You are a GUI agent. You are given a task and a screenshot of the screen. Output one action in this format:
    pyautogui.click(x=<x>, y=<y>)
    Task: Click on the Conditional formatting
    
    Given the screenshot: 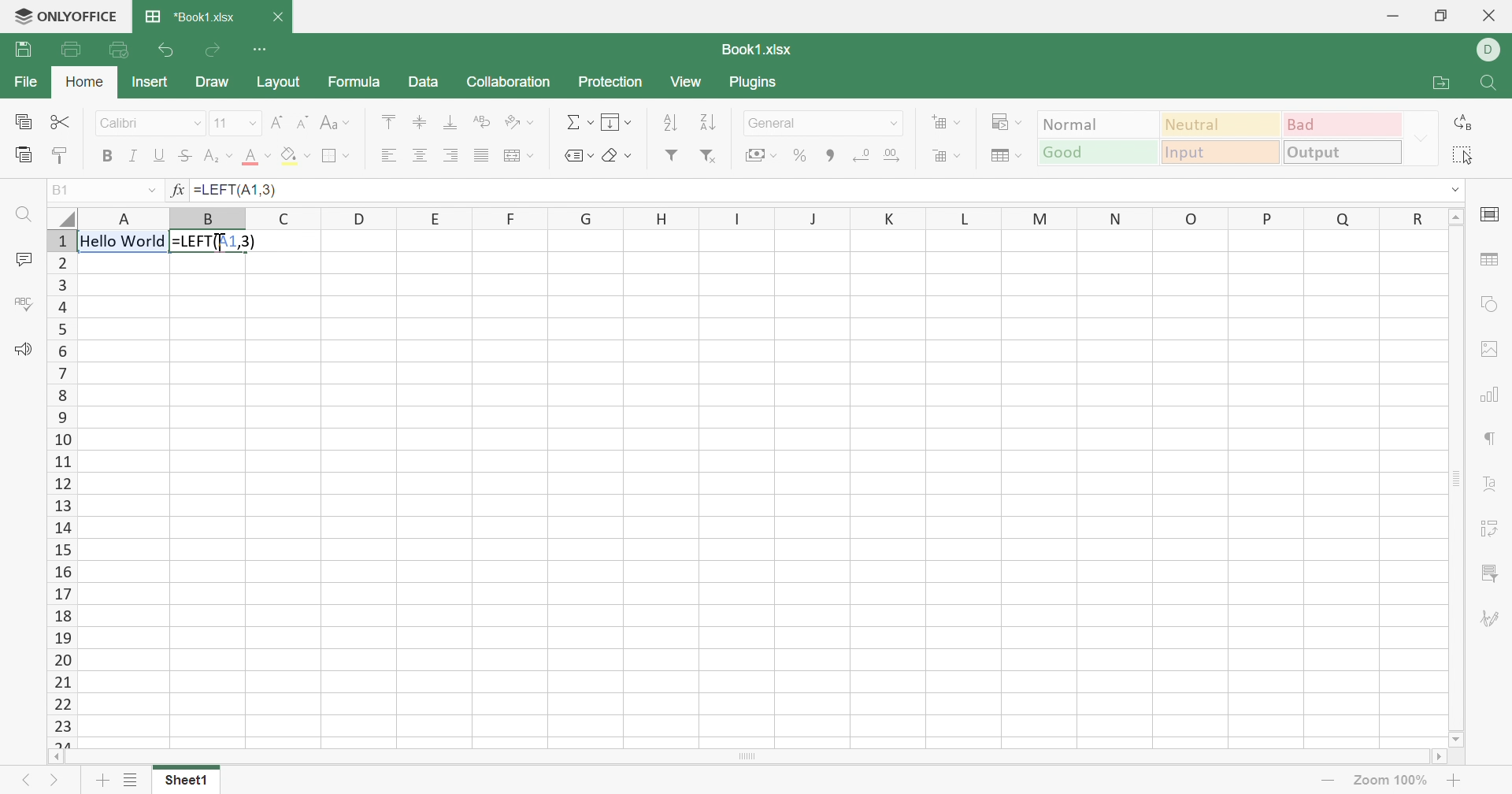 What is the action you would take?
    pyautogui.click(x=1006, y=123)
    